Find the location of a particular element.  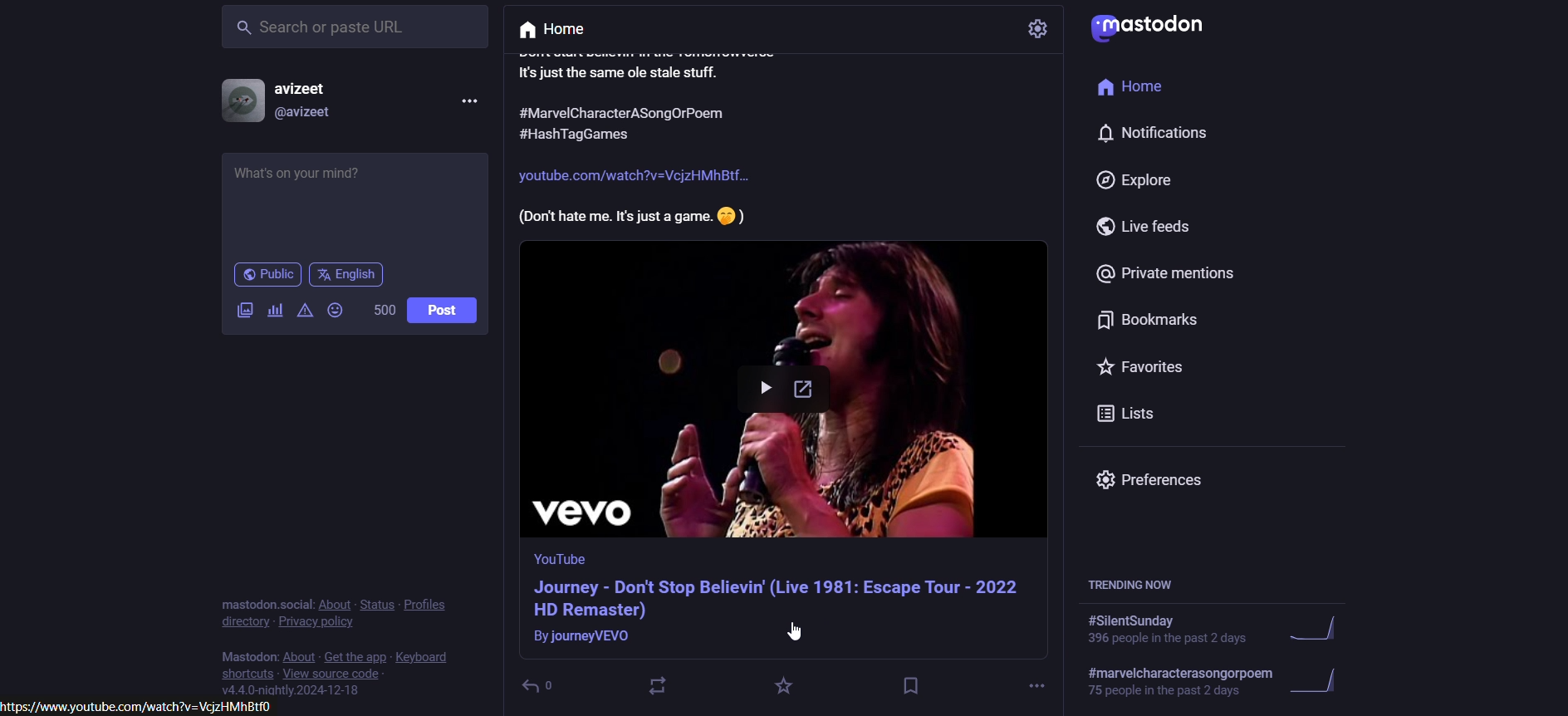

language is located at coordinates (349, 275).